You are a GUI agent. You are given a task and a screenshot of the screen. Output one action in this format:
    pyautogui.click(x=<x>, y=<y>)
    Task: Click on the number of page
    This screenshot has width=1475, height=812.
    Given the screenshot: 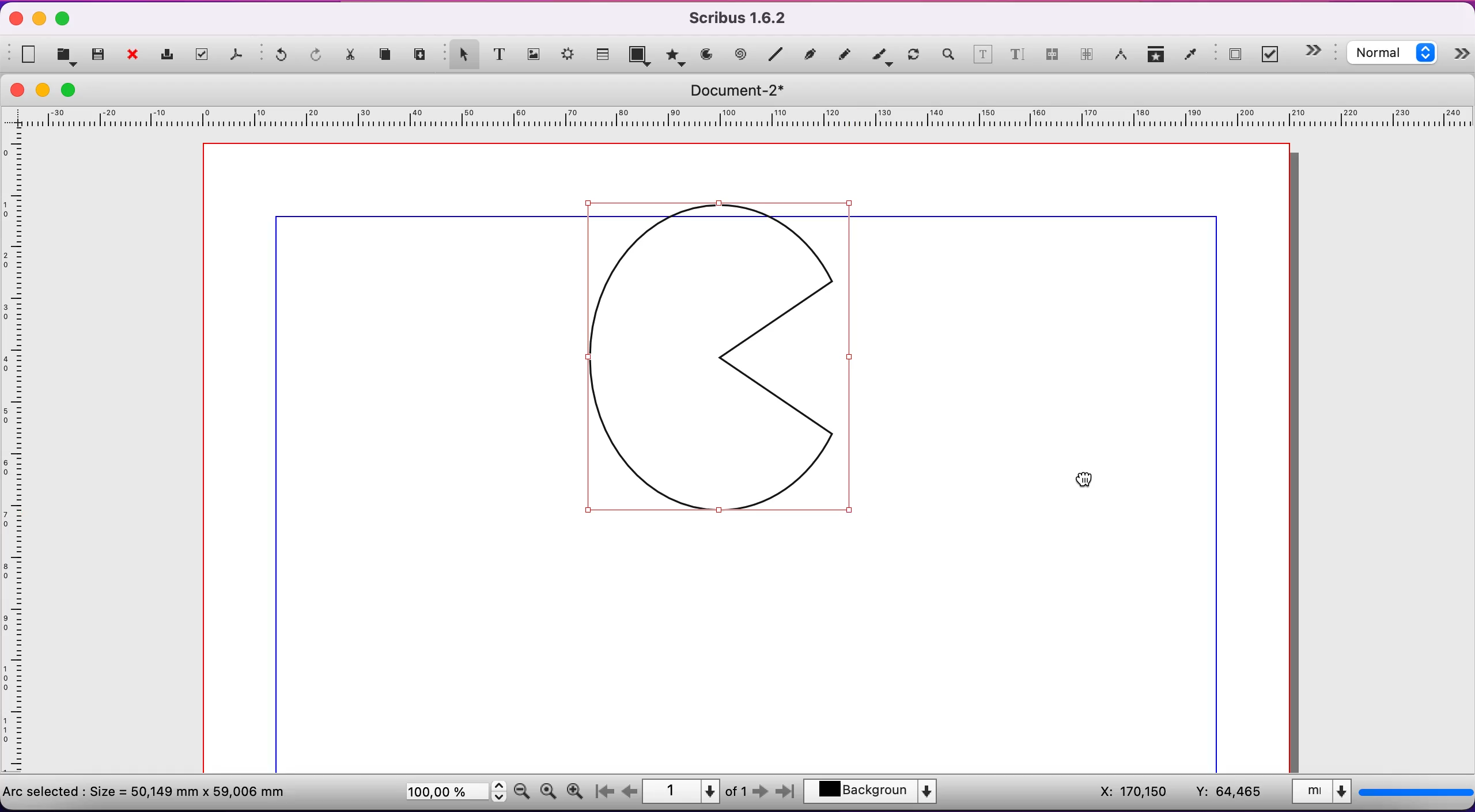 What is the action you would take?
    pyautogui.click(x=696, y=791)
    